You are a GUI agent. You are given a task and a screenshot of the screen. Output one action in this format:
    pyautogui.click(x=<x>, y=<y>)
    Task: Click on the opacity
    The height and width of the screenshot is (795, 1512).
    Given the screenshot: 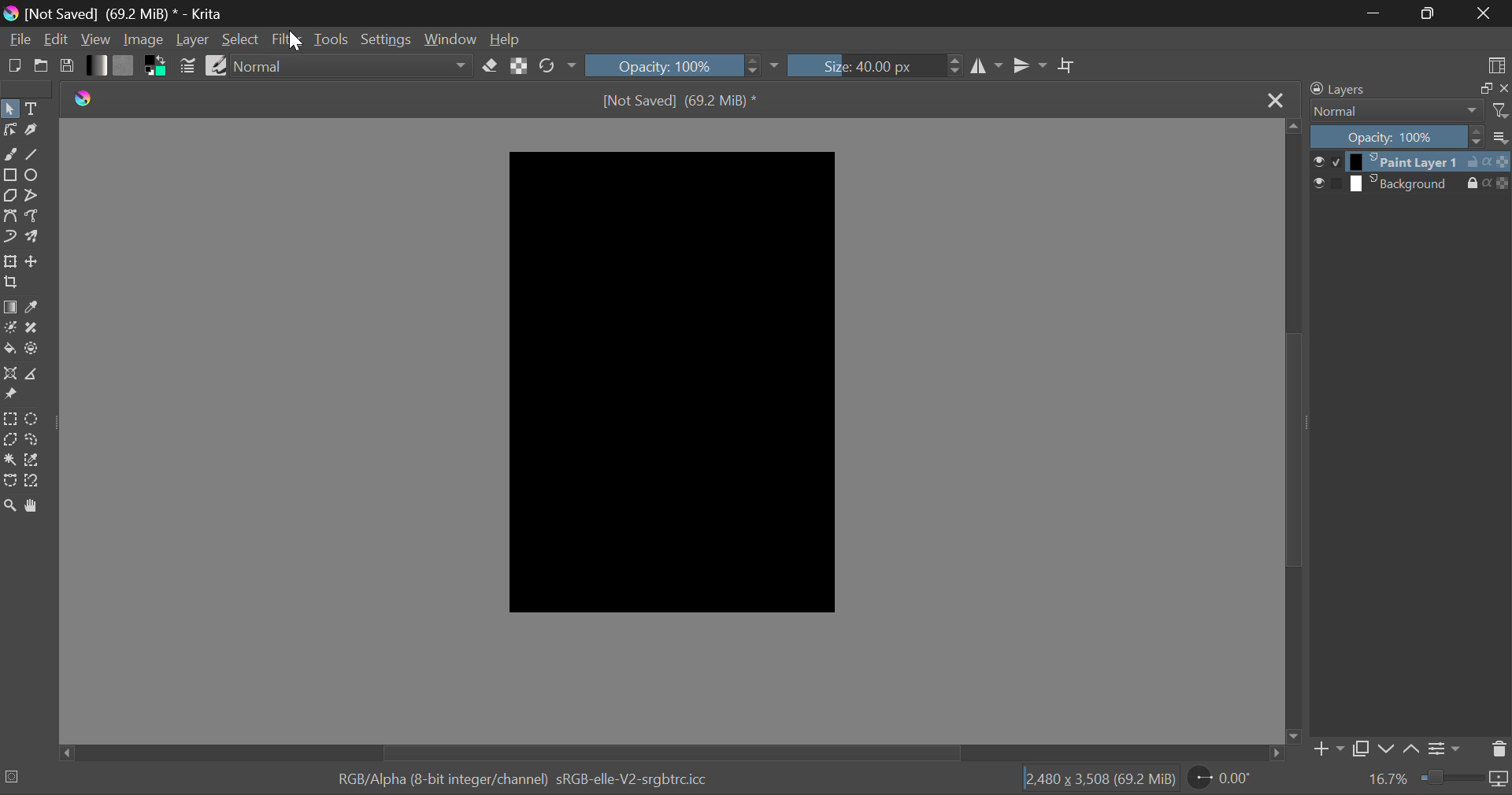 What is the action you would take?
    pyautogui.click(x=1503, y=162)
    